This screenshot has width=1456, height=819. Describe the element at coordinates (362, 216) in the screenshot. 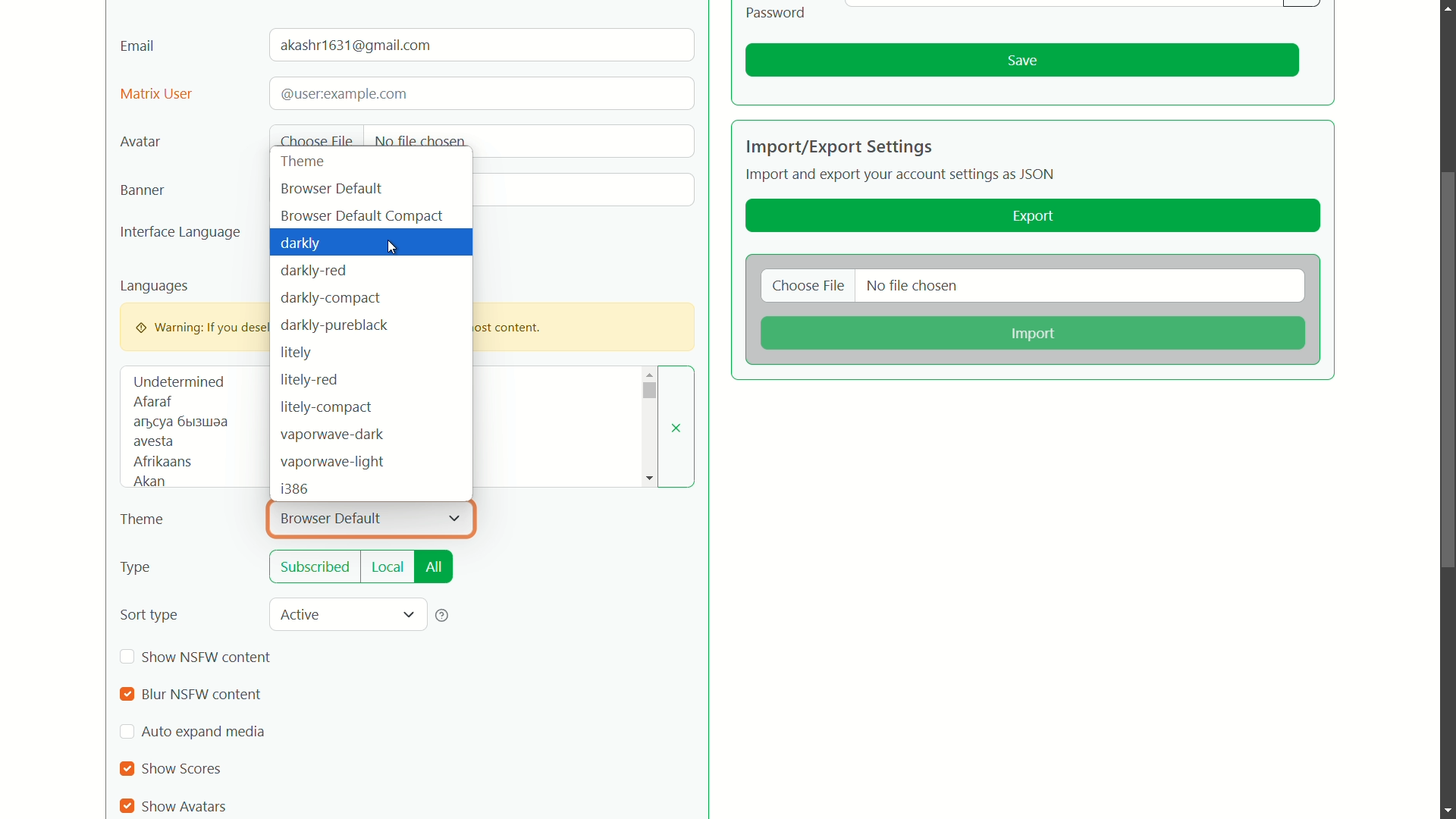

I see `browser default compact` at that location.